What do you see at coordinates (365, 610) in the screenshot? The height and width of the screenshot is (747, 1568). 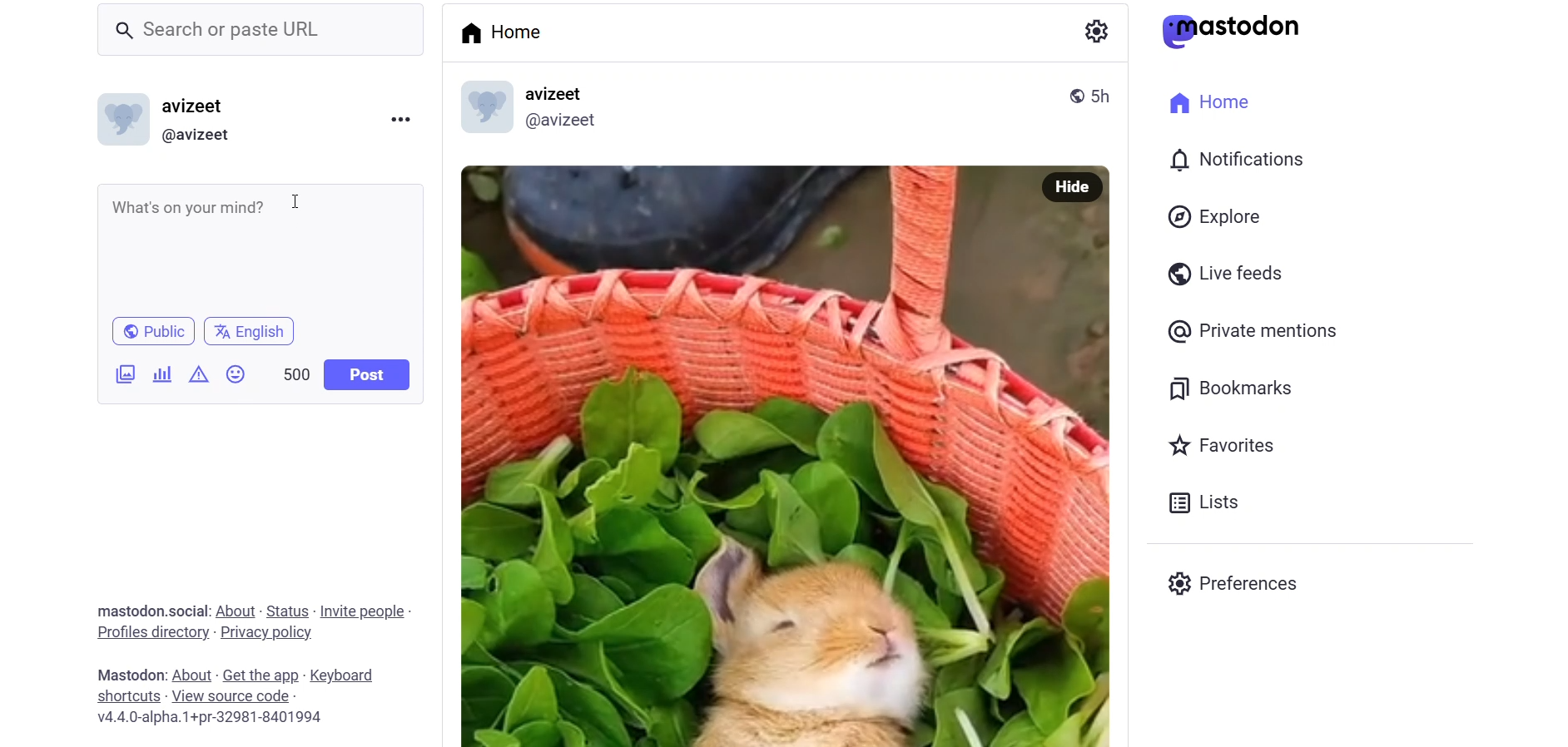 I see `invite people` at bounding box center [365, 610].